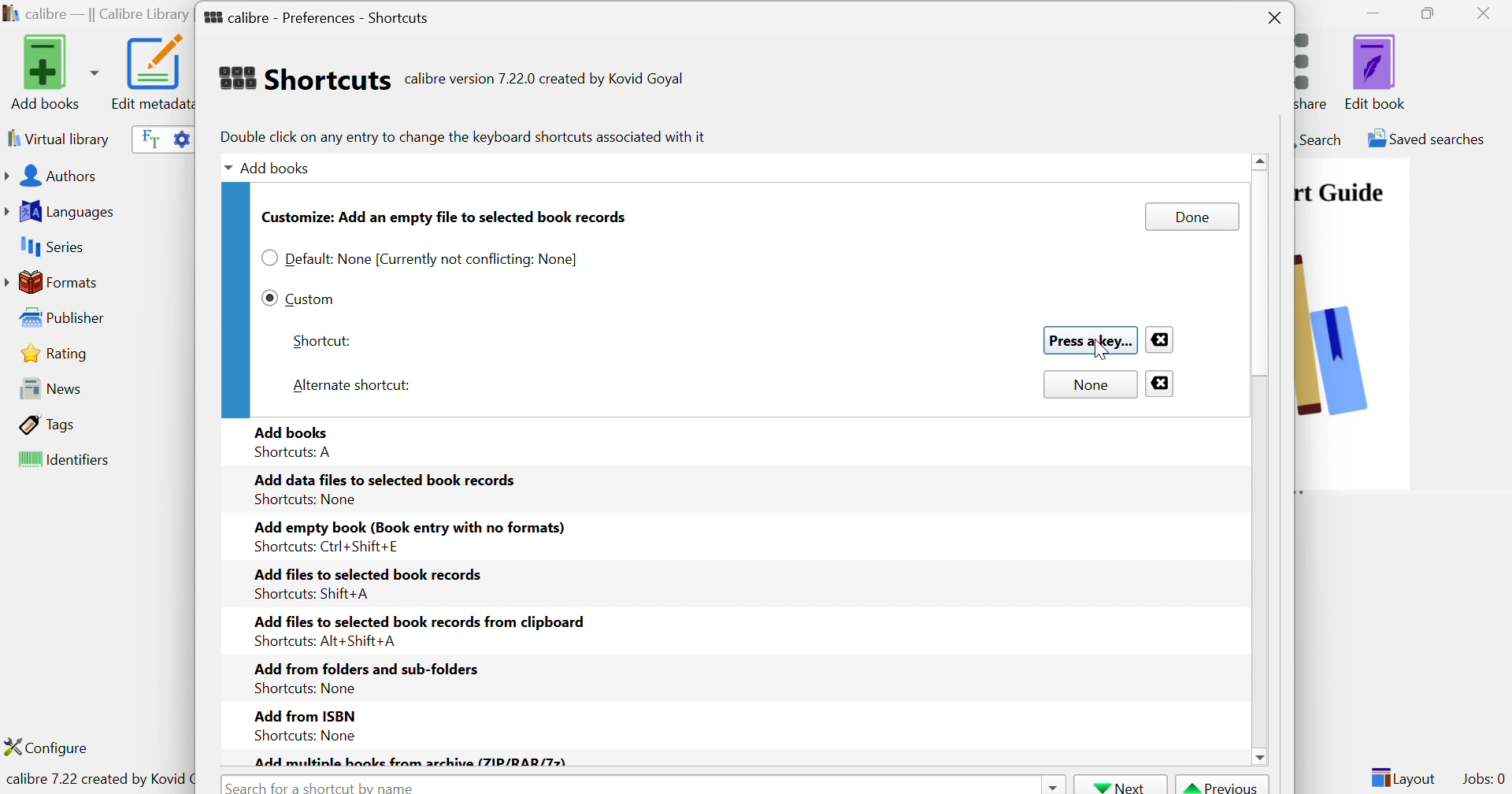  Describe the element at coordinates (310, 594) in the screenshot. I see `Shortcuts: Shift+A` at that location.